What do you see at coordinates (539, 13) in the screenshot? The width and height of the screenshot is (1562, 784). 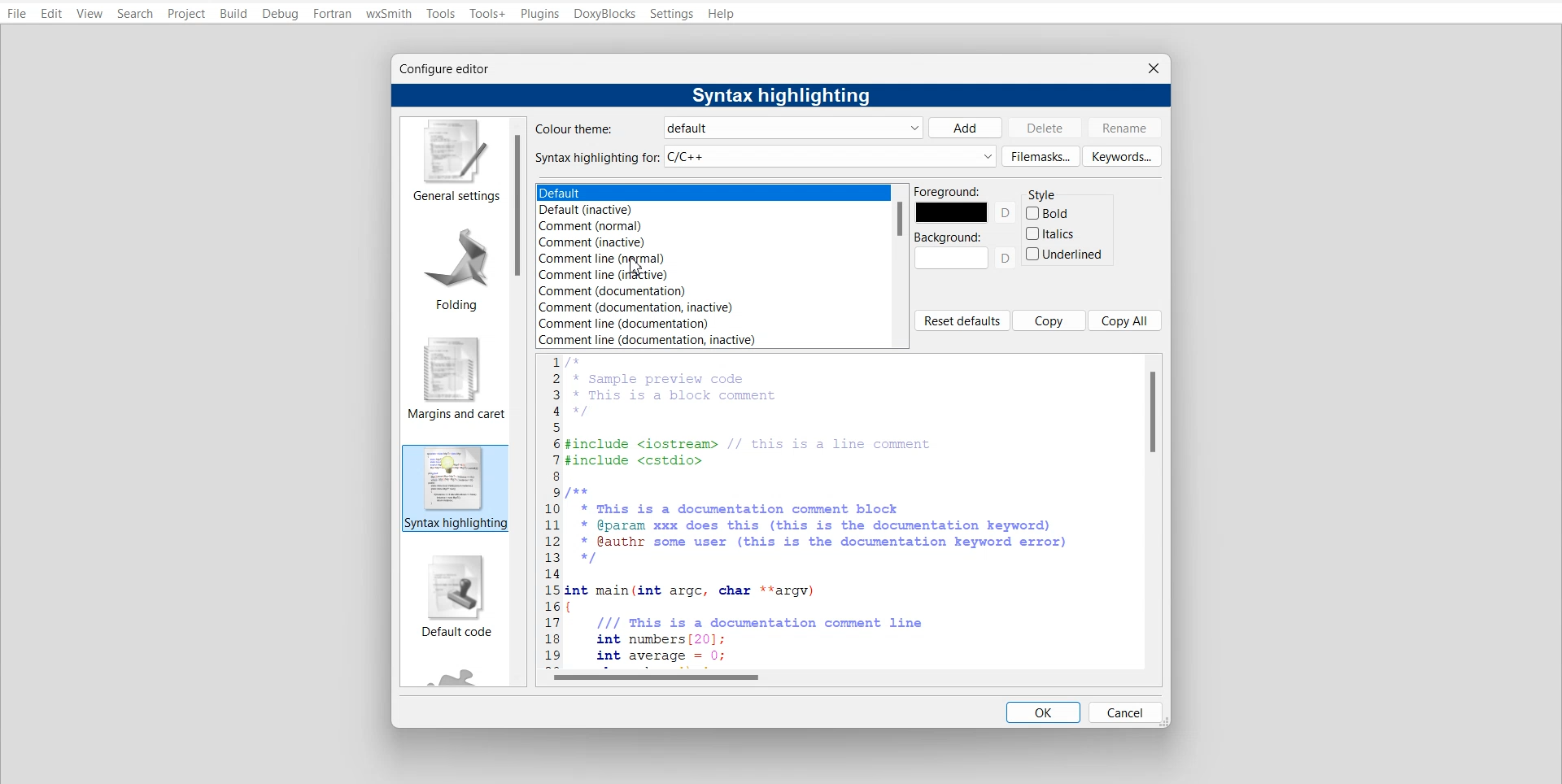 I see `Plugins` at bounding box center [539, 13].